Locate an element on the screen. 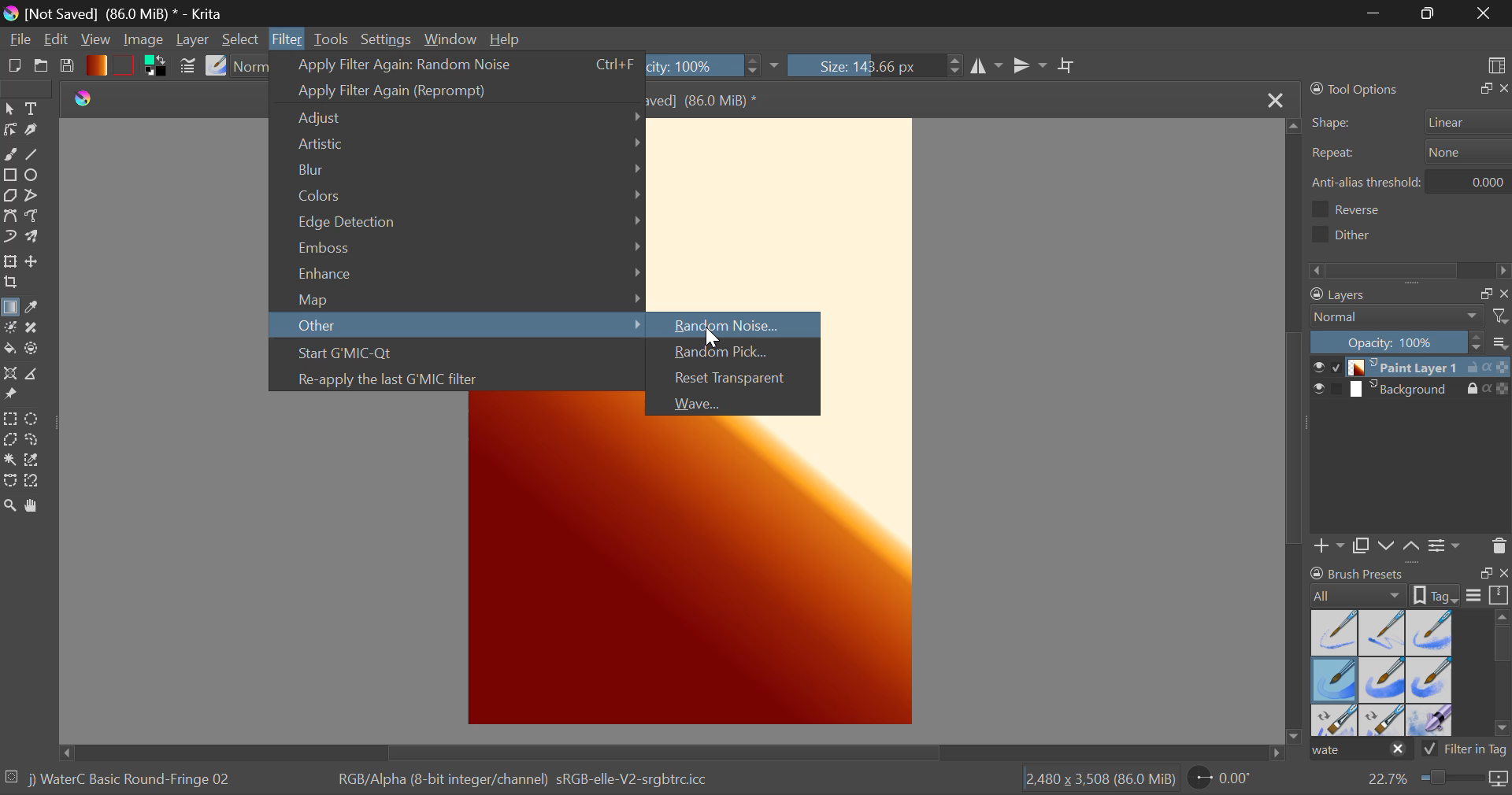 The height and width of the screenshot is (795, 1512). Start GMIC-Qt is located at coordinates (458, 355).